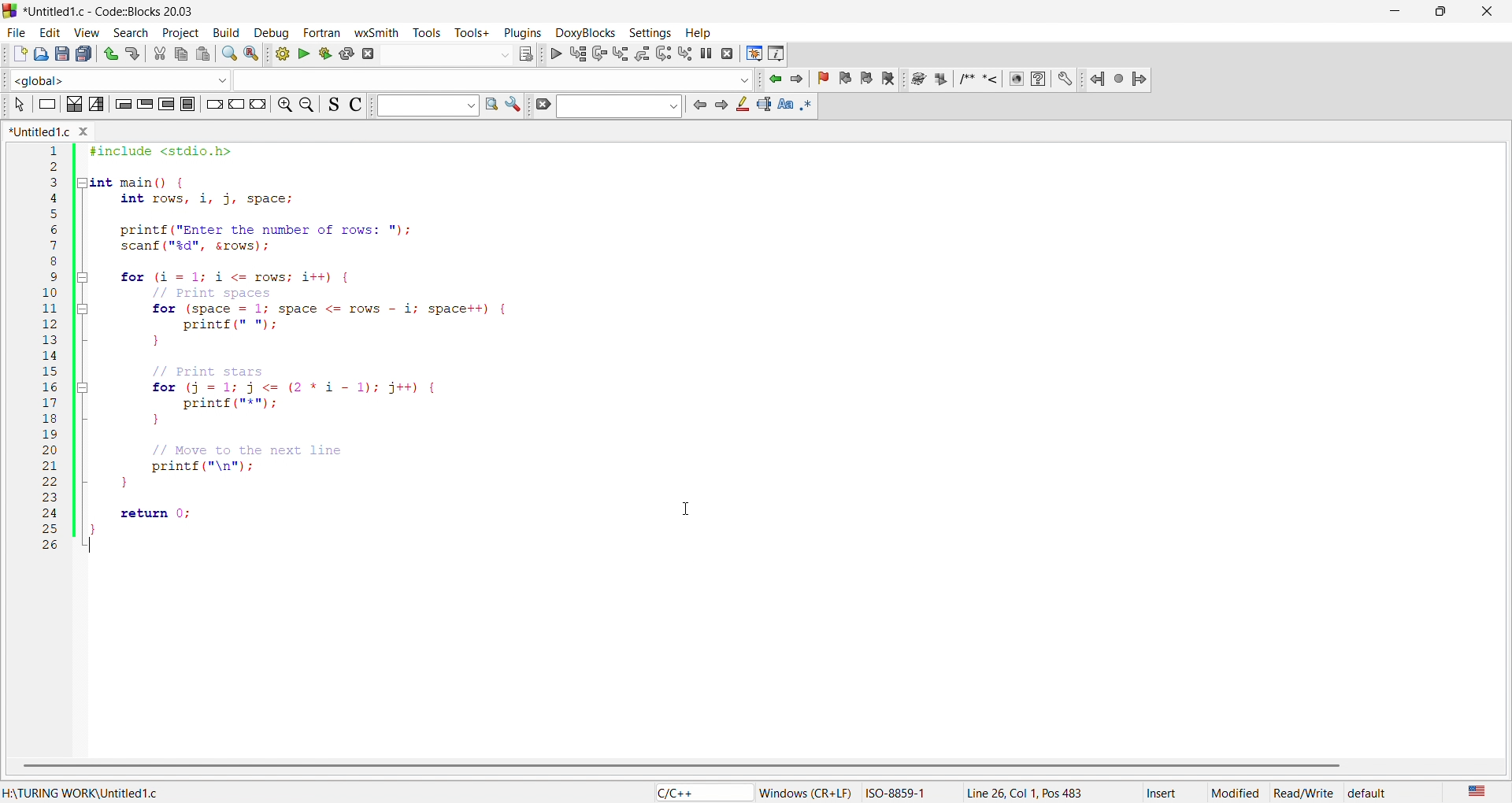 The image size is (1512, 803). Describe the element at coordinates (750, 53) in the screenshot. I see `debugging window` at that location.